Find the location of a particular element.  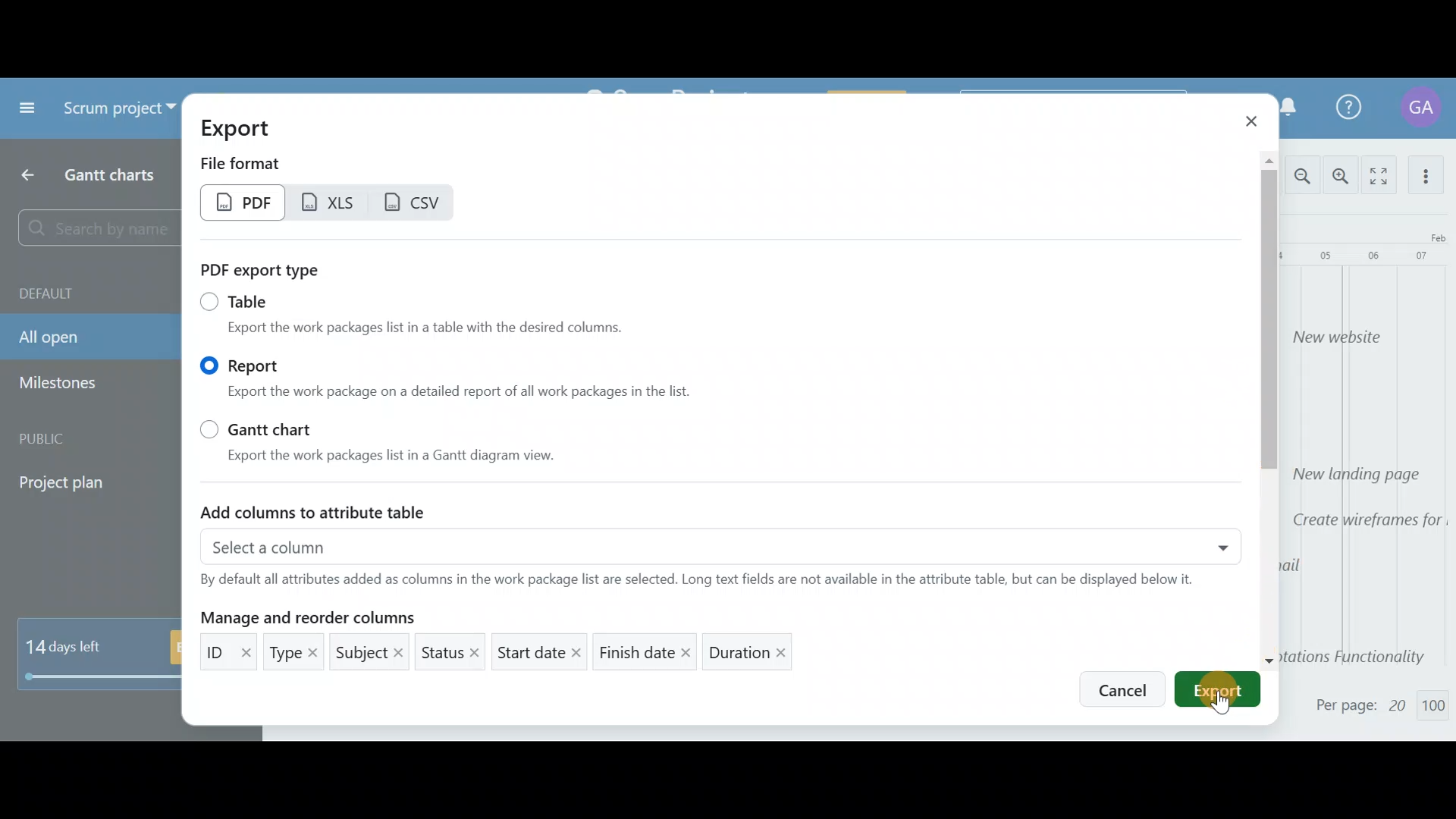

Export is located at coordinates (251, 127).